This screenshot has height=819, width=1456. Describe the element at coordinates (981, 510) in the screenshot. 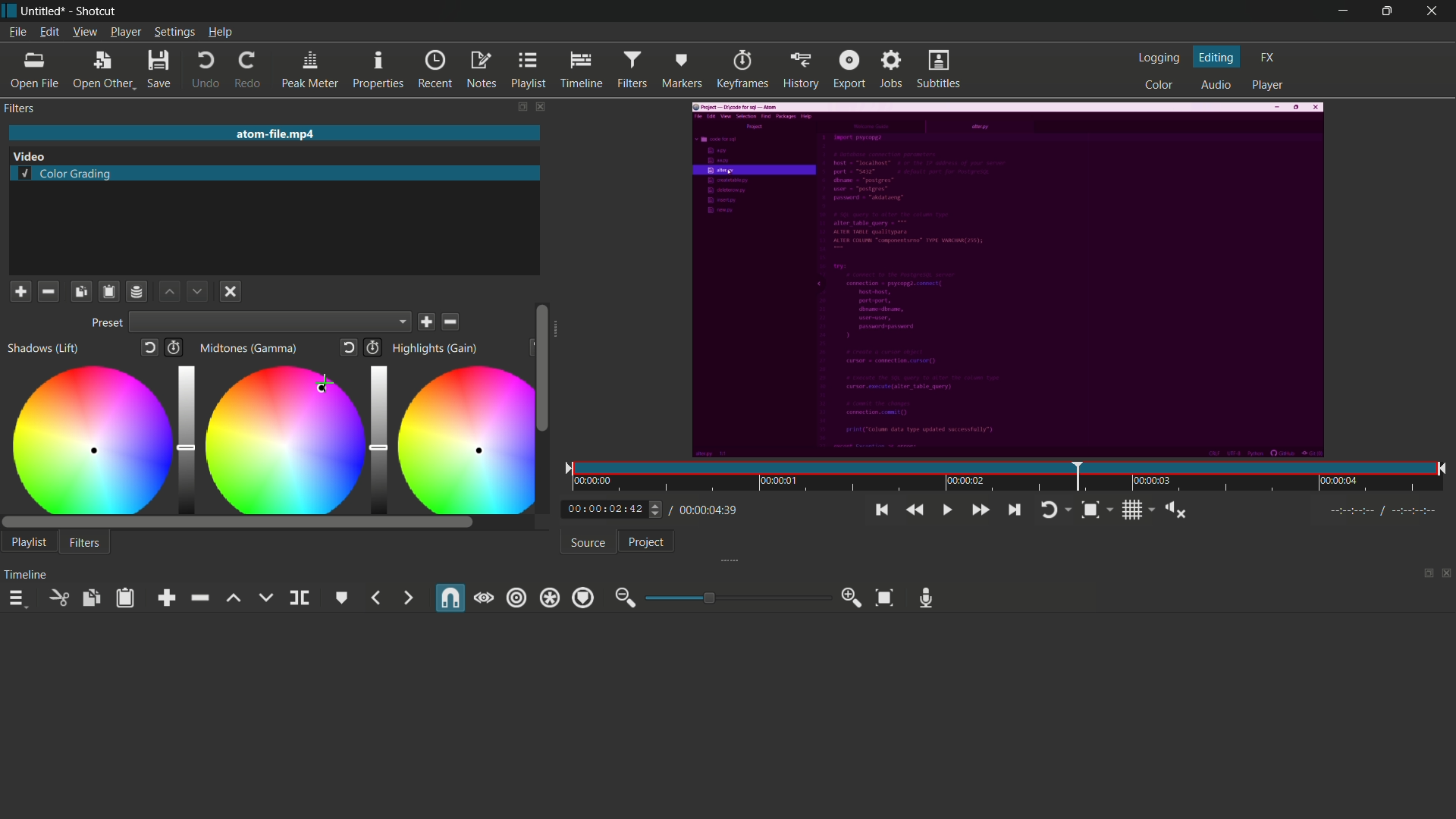

I see `quickly play forward` at that location.